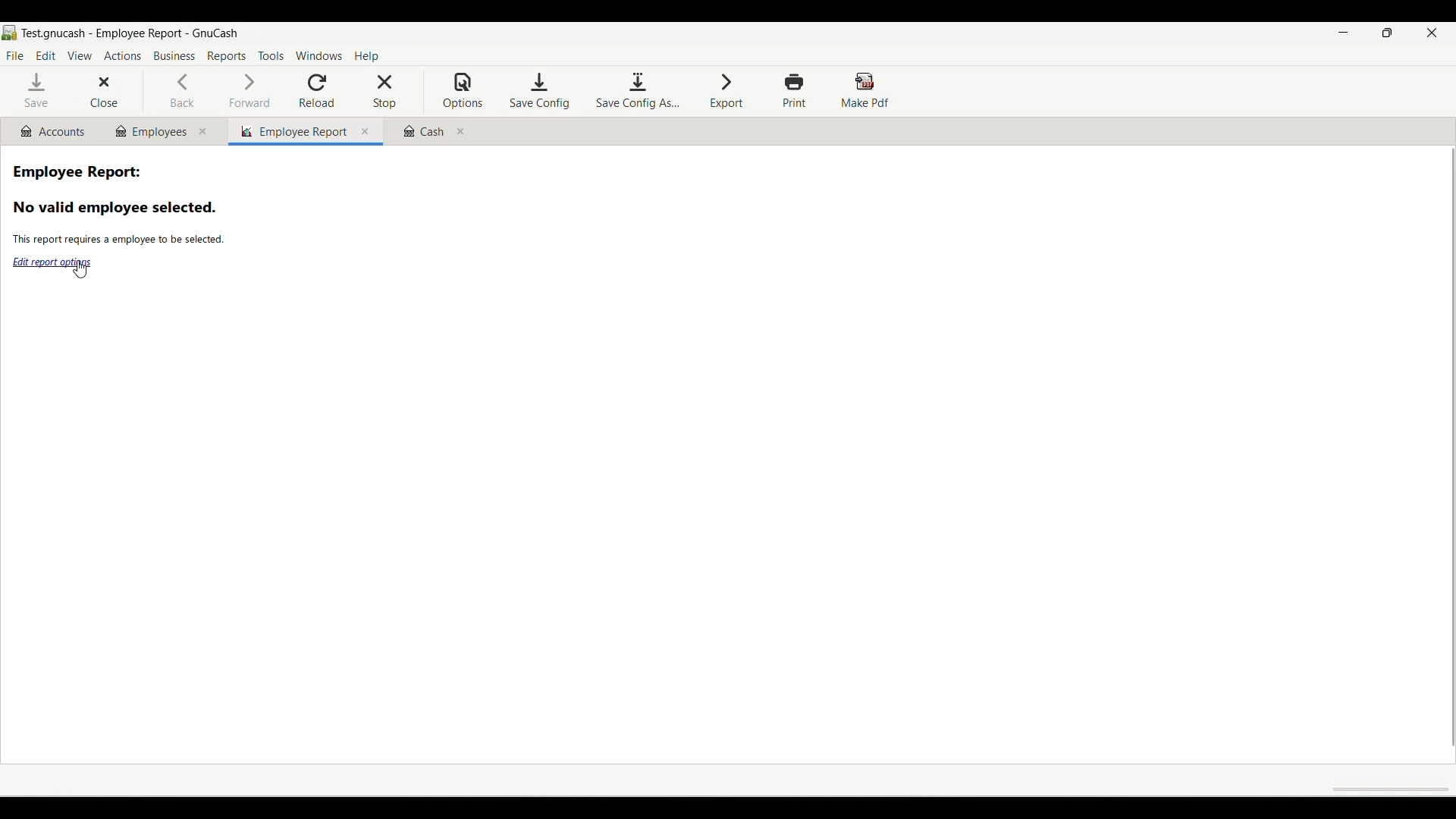  What do you see at coordinates (367, 55) in the screenshot?
I see `Help` at bounding box center [367, 55].